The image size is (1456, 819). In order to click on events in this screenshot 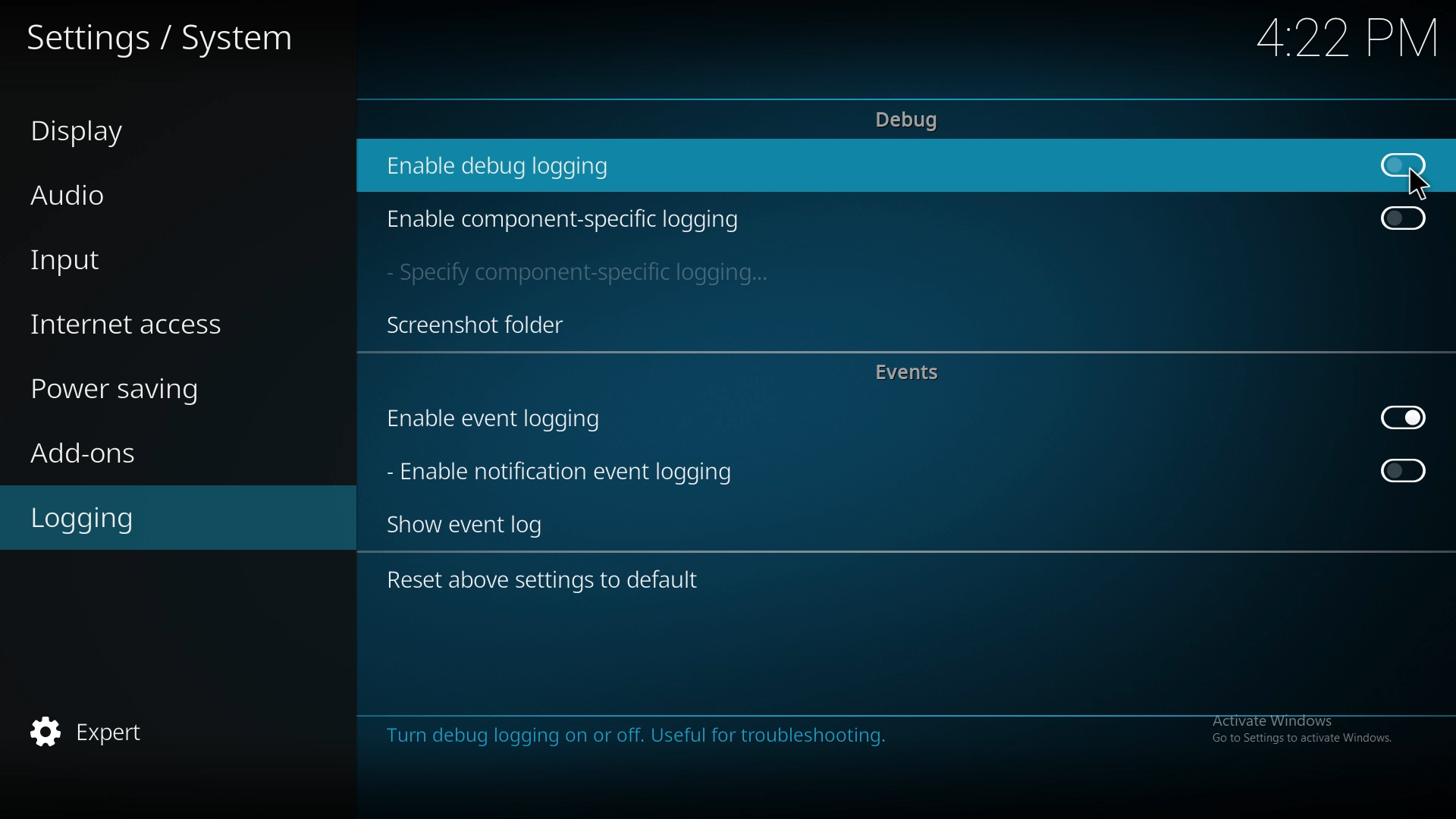, I will do `click(915, 373)`.